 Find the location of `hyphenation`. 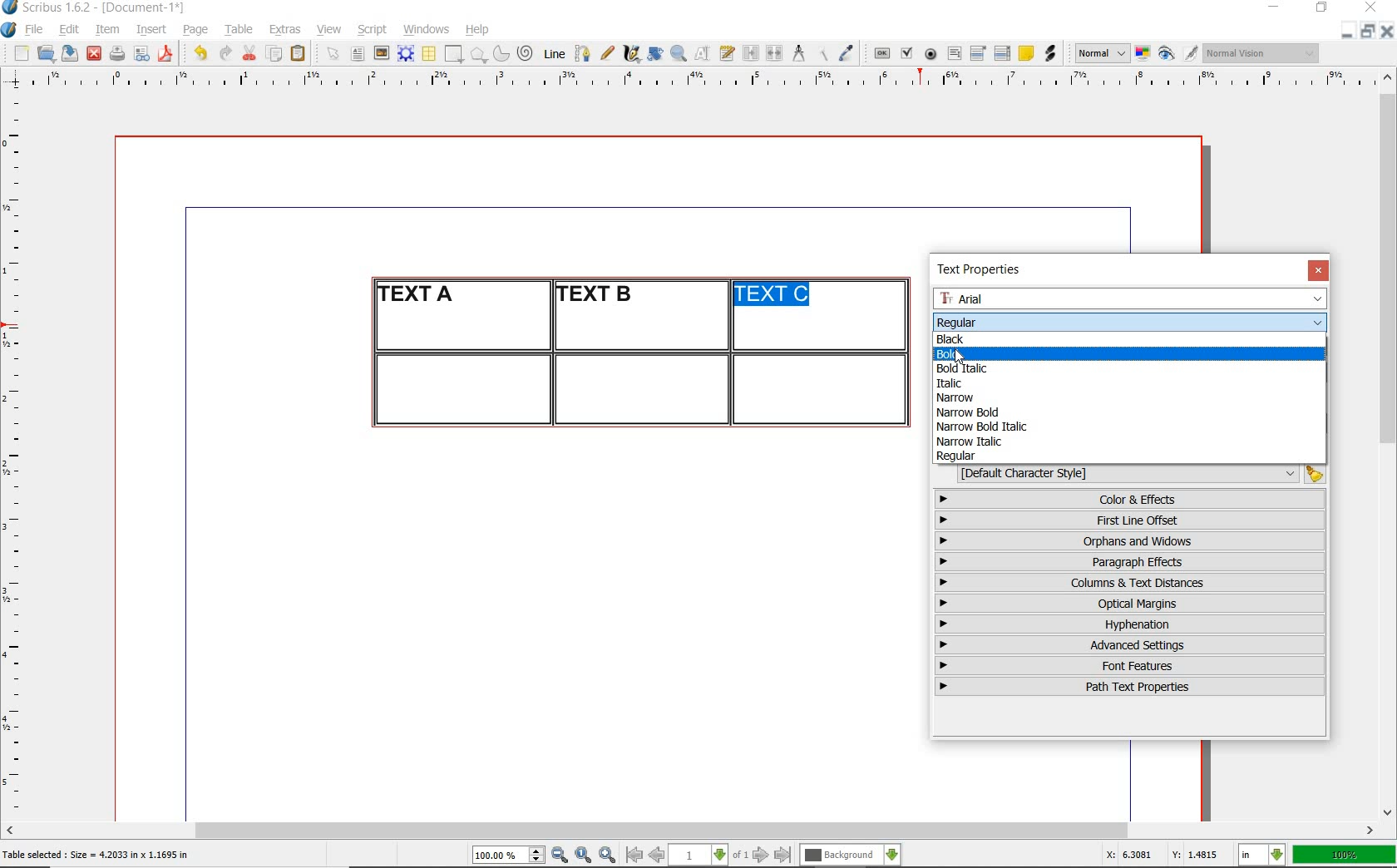

hyphenation is located at coordinates (1130, 624).